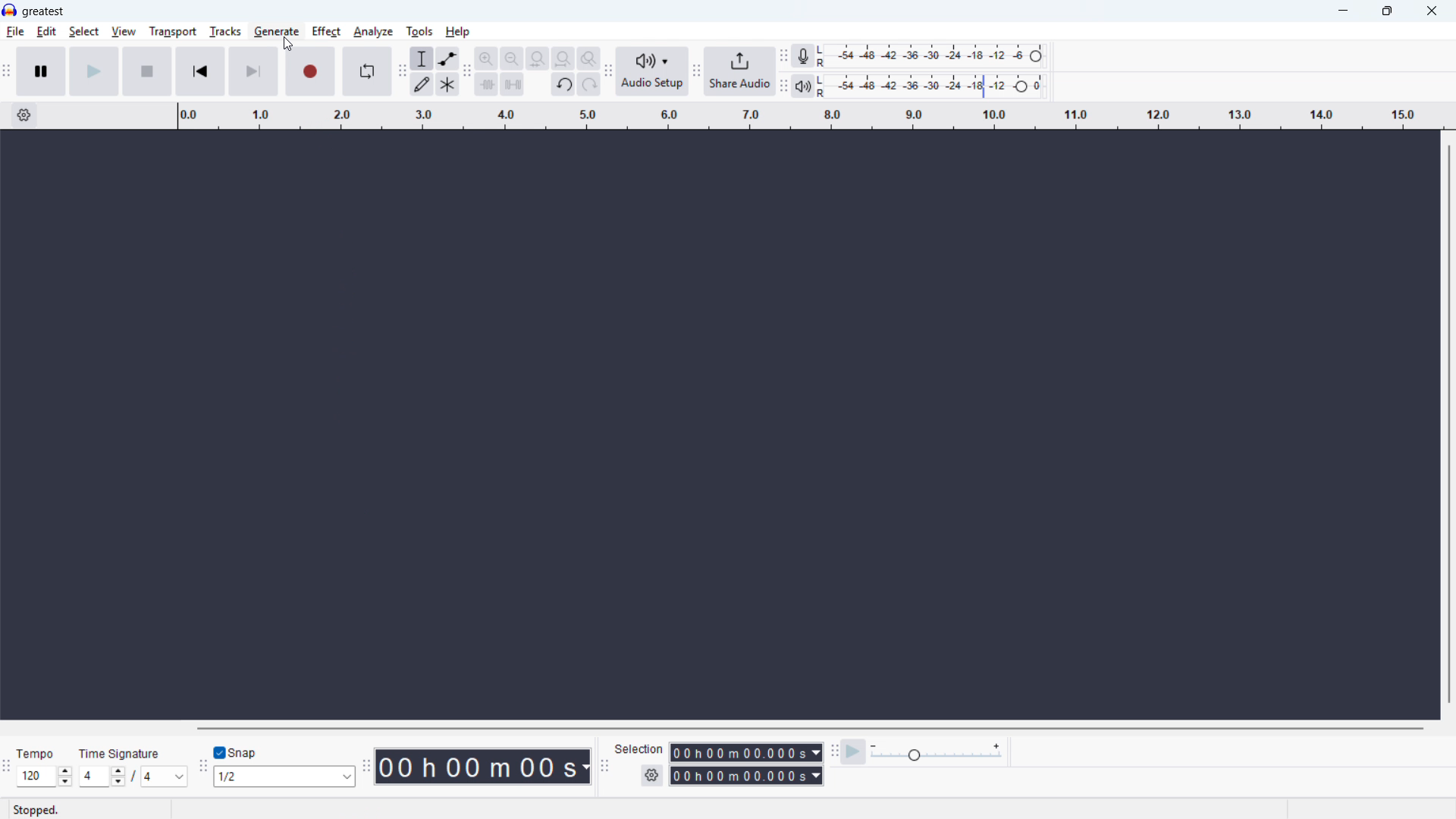  Describe the element at coordinates (783, 87) in the screenshot. I see `playback meter toolbar` at that location.